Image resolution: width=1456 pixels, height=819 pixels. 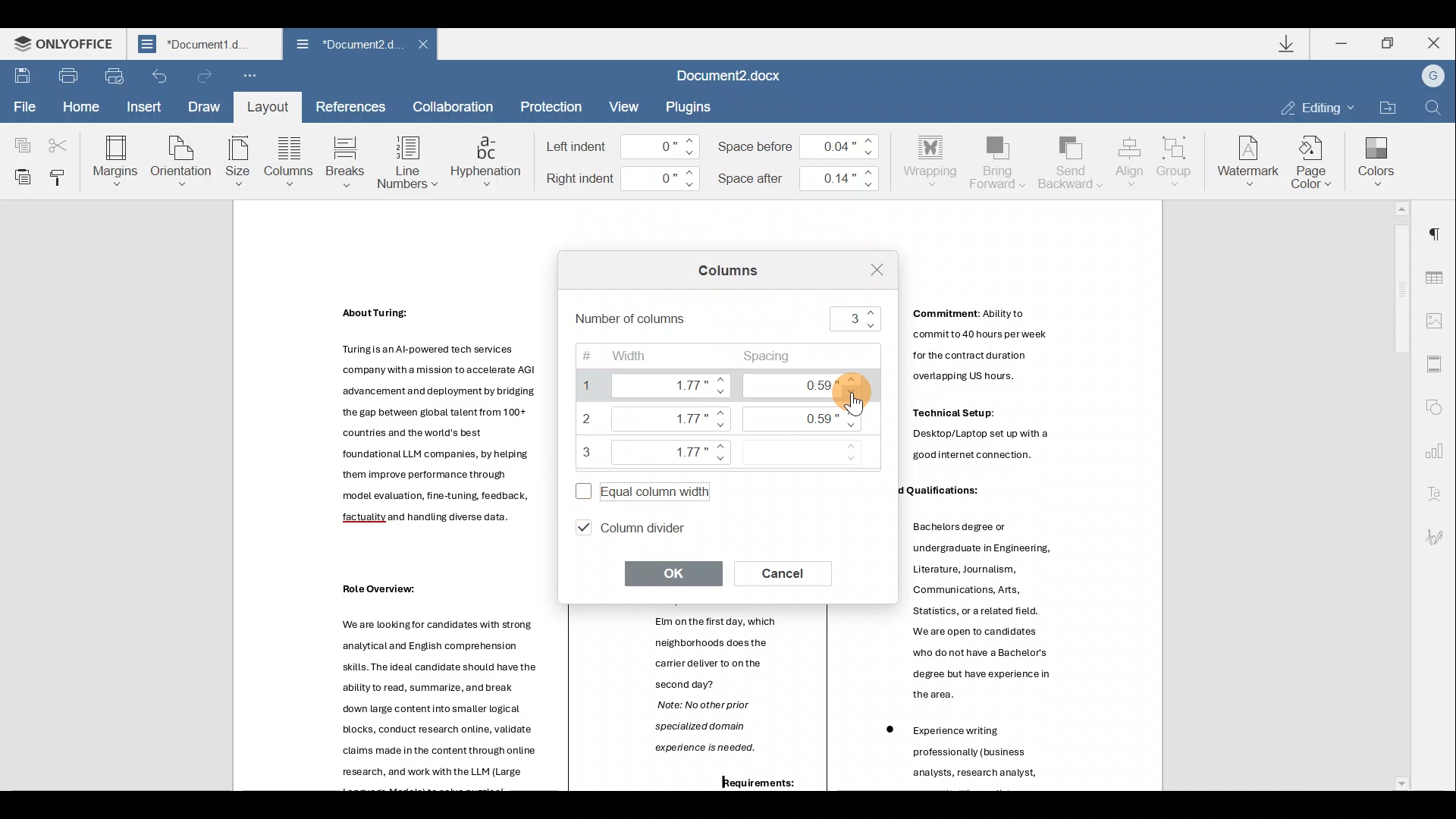 What do you see at coordinates (453, 106) in the screenshot?
I see `Collaboration` at bounding box center [453, 106].